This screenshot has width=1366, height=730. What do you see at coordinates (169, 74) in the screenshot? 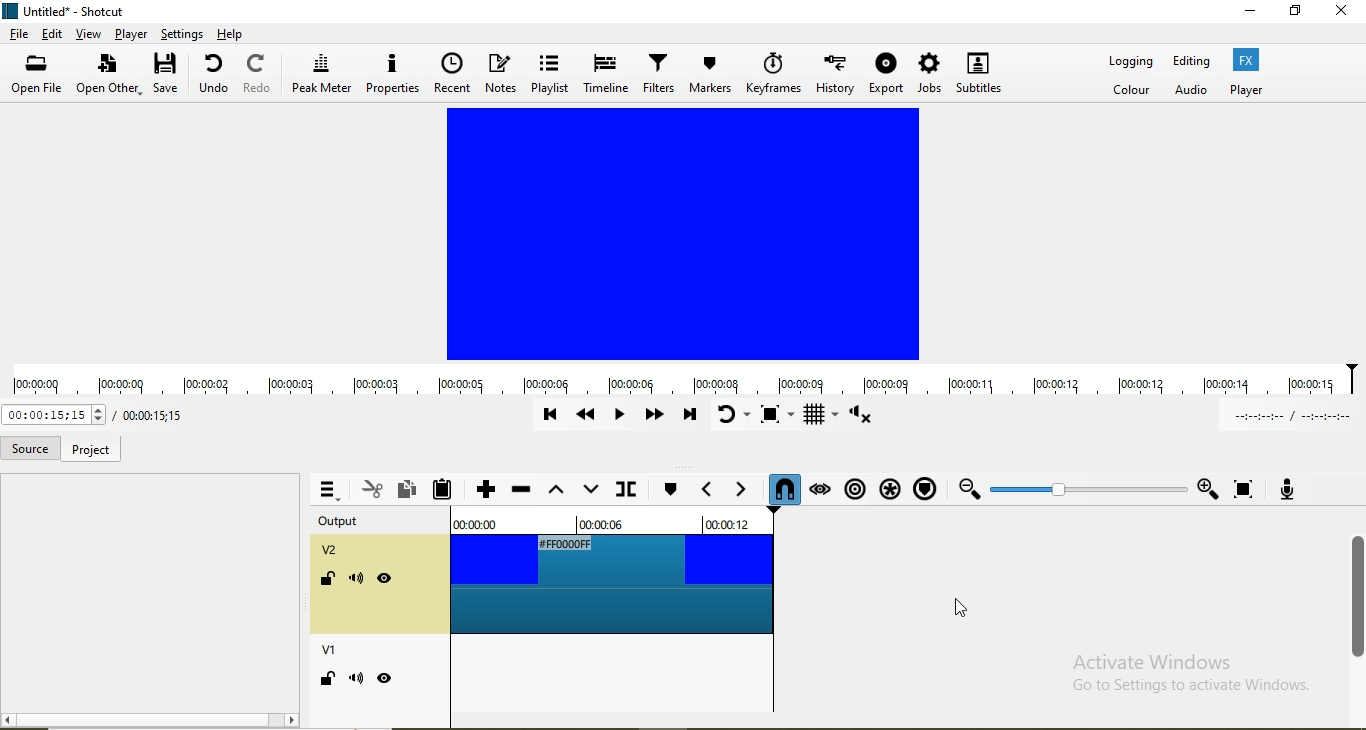
I see `save` at bounding box center [169, 74].